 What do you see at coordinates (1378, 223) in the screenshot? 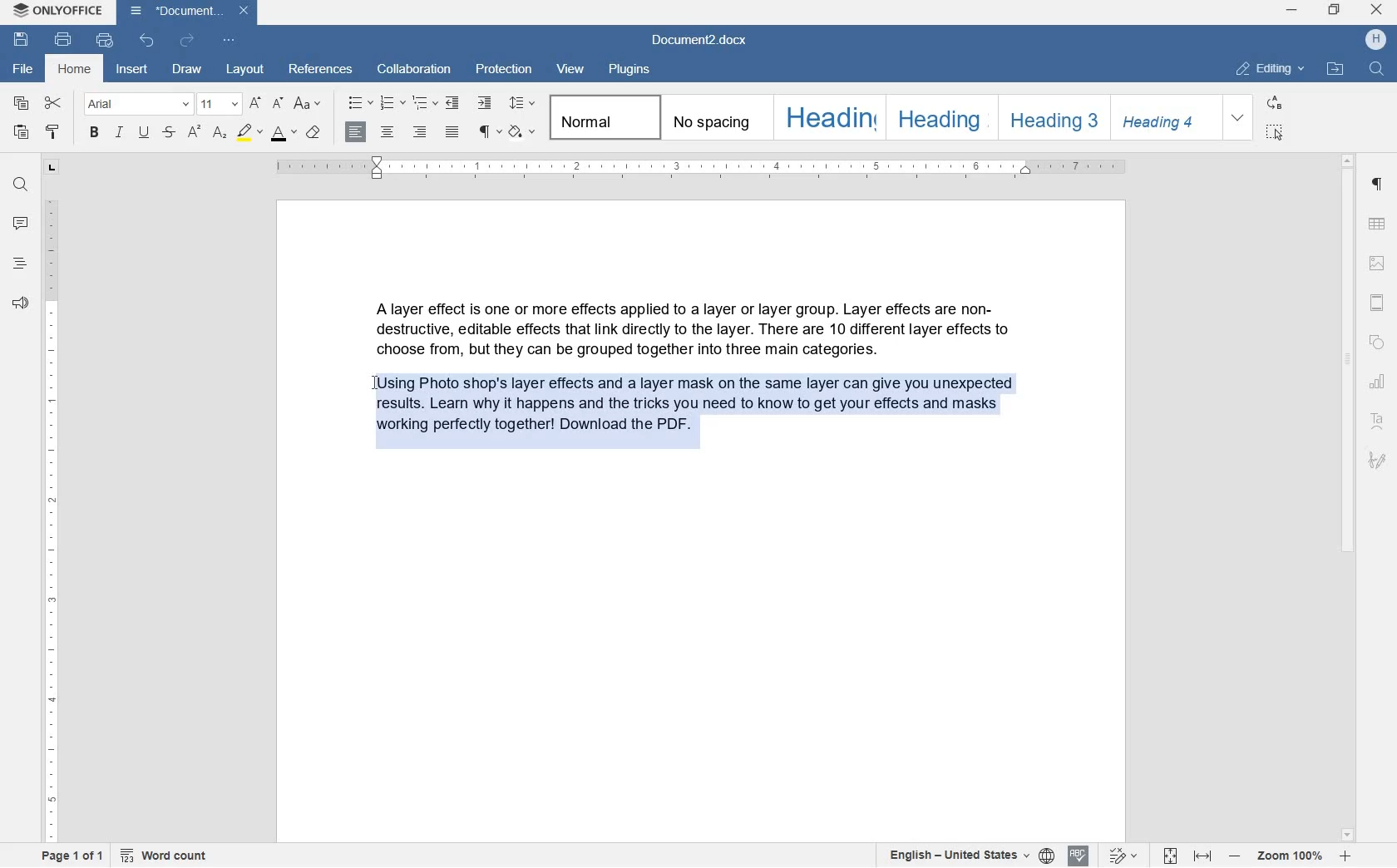
I see `TABLE` at bounding box center [1378, 223].